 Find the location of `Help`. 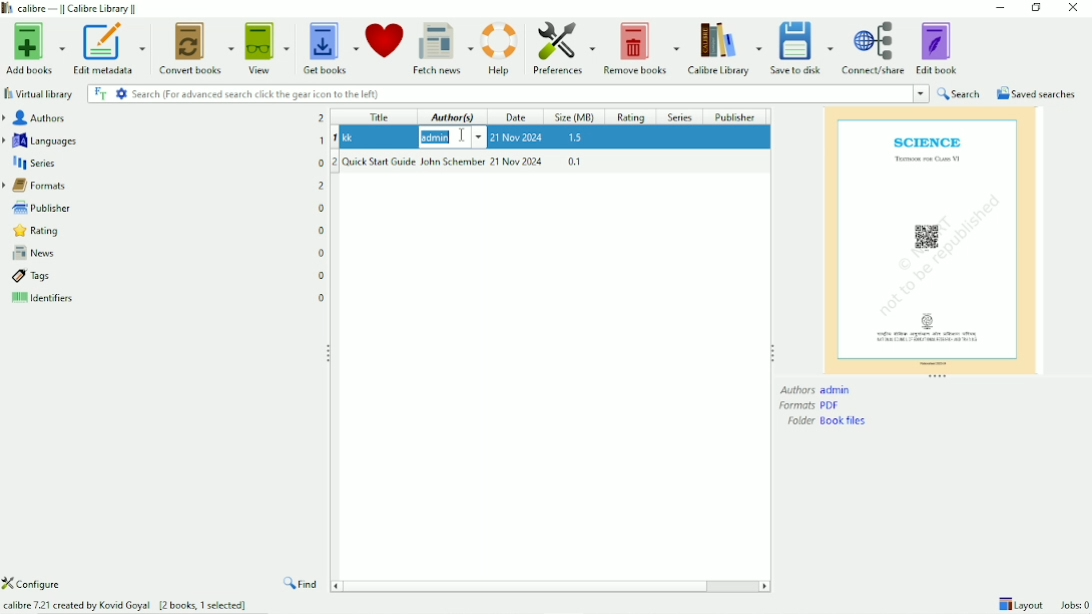

Help is located at coordinates (500, 49).